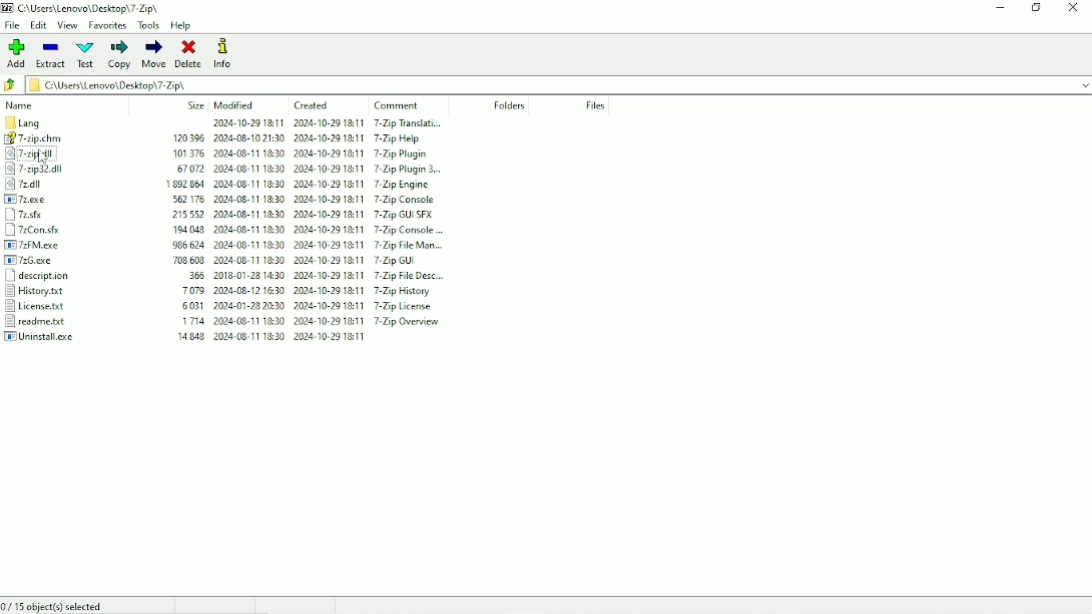 This screenshot has width=1092, height=614. I want to click on cursor, so click(43, 159).